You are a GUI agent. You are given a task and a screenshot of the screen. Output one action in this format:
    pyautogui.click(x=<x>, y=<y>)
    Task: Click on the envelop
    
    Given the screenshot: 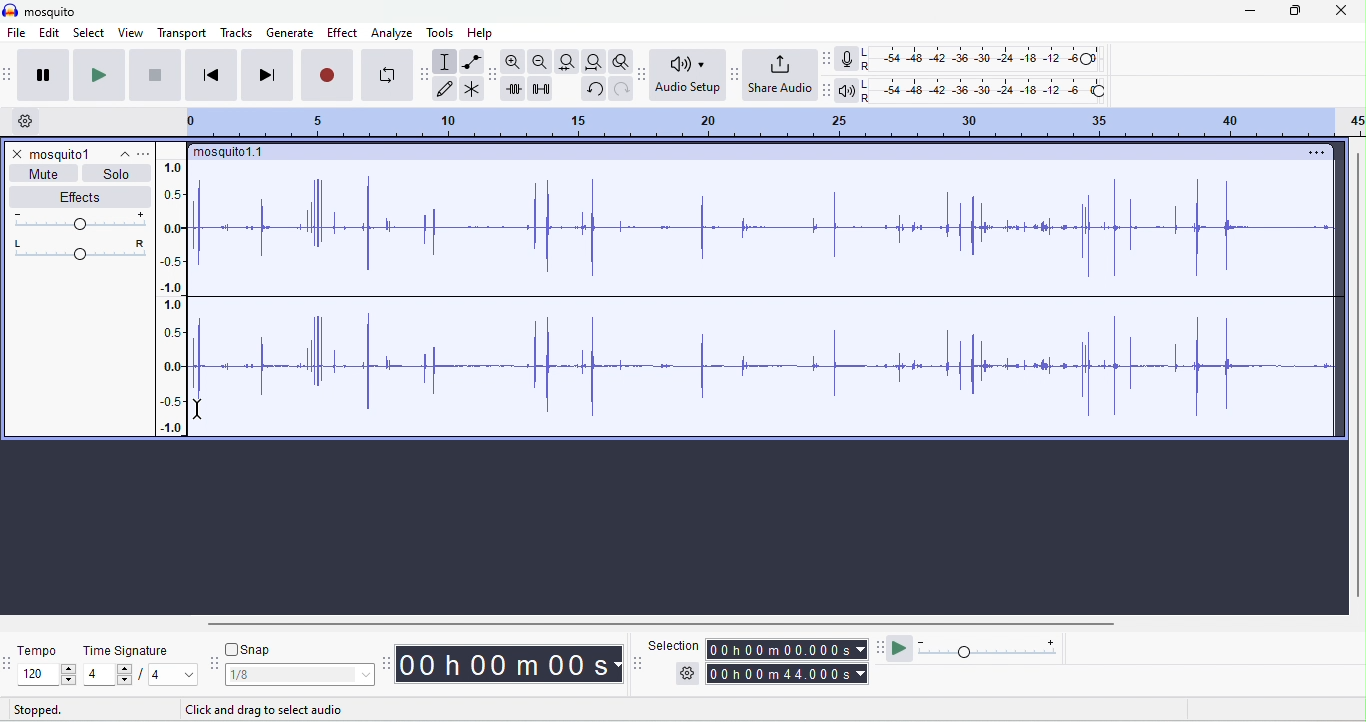 What is the action you would take?
    pyautogui.click(x=472, y=60)
    